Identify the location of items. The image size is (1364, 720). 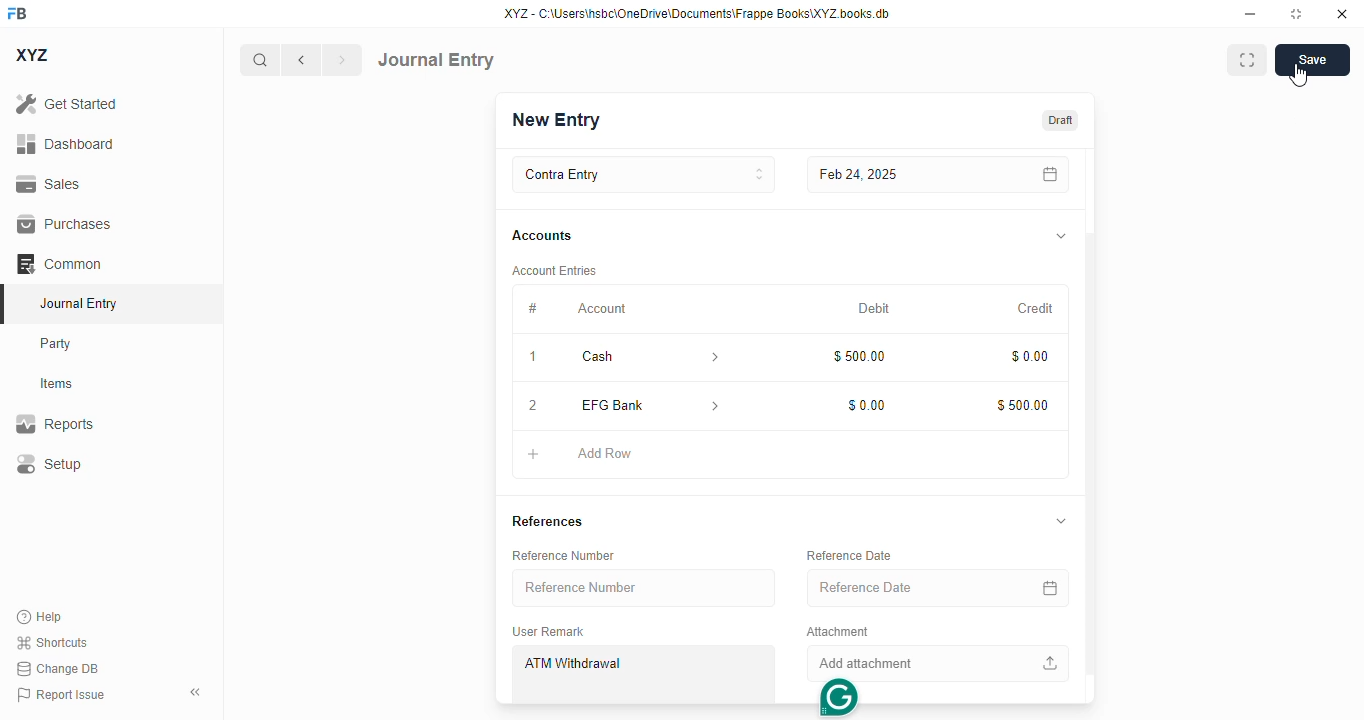
(57, 384).